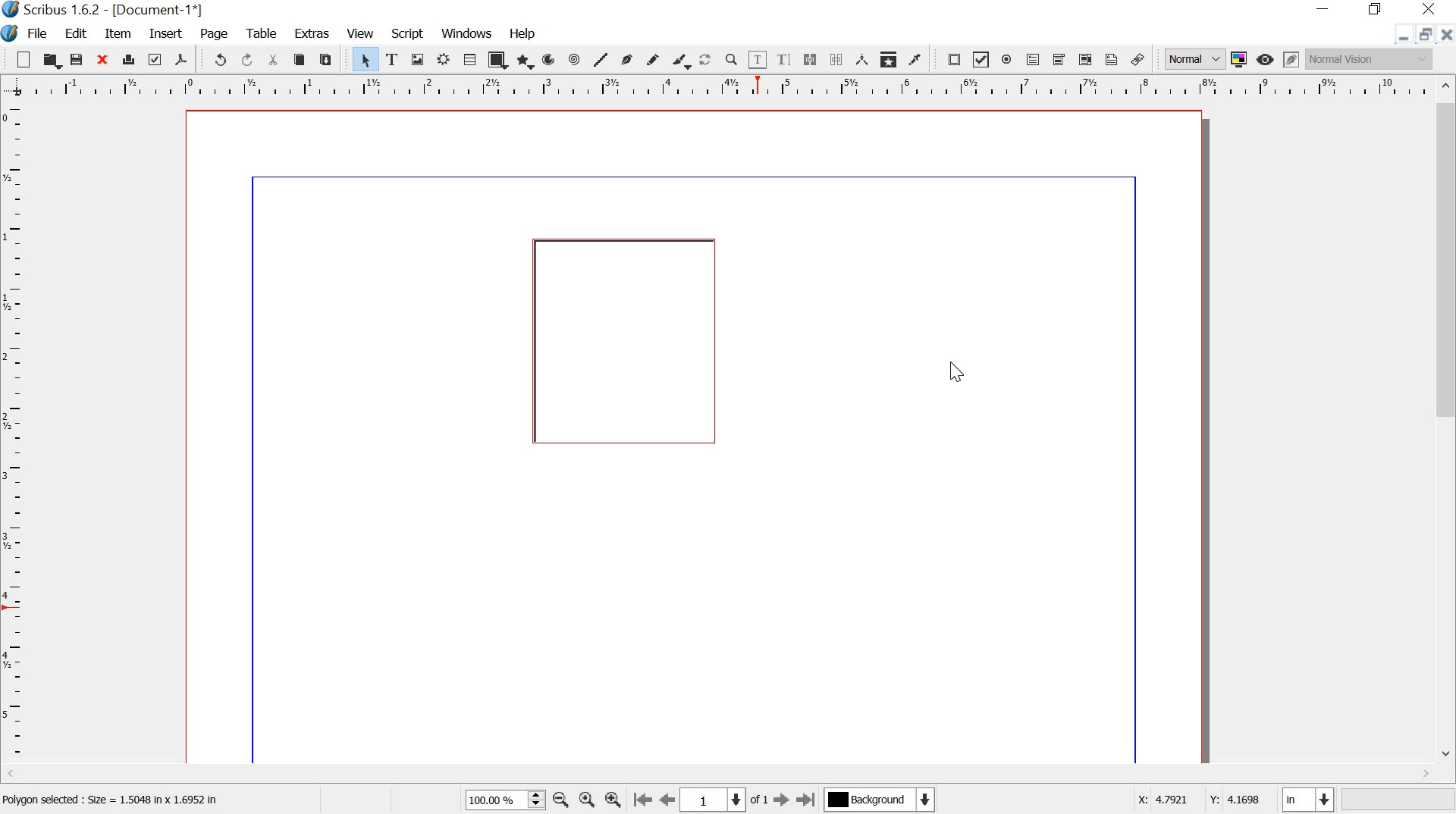  I want to click on polygon, so click(526, 61).